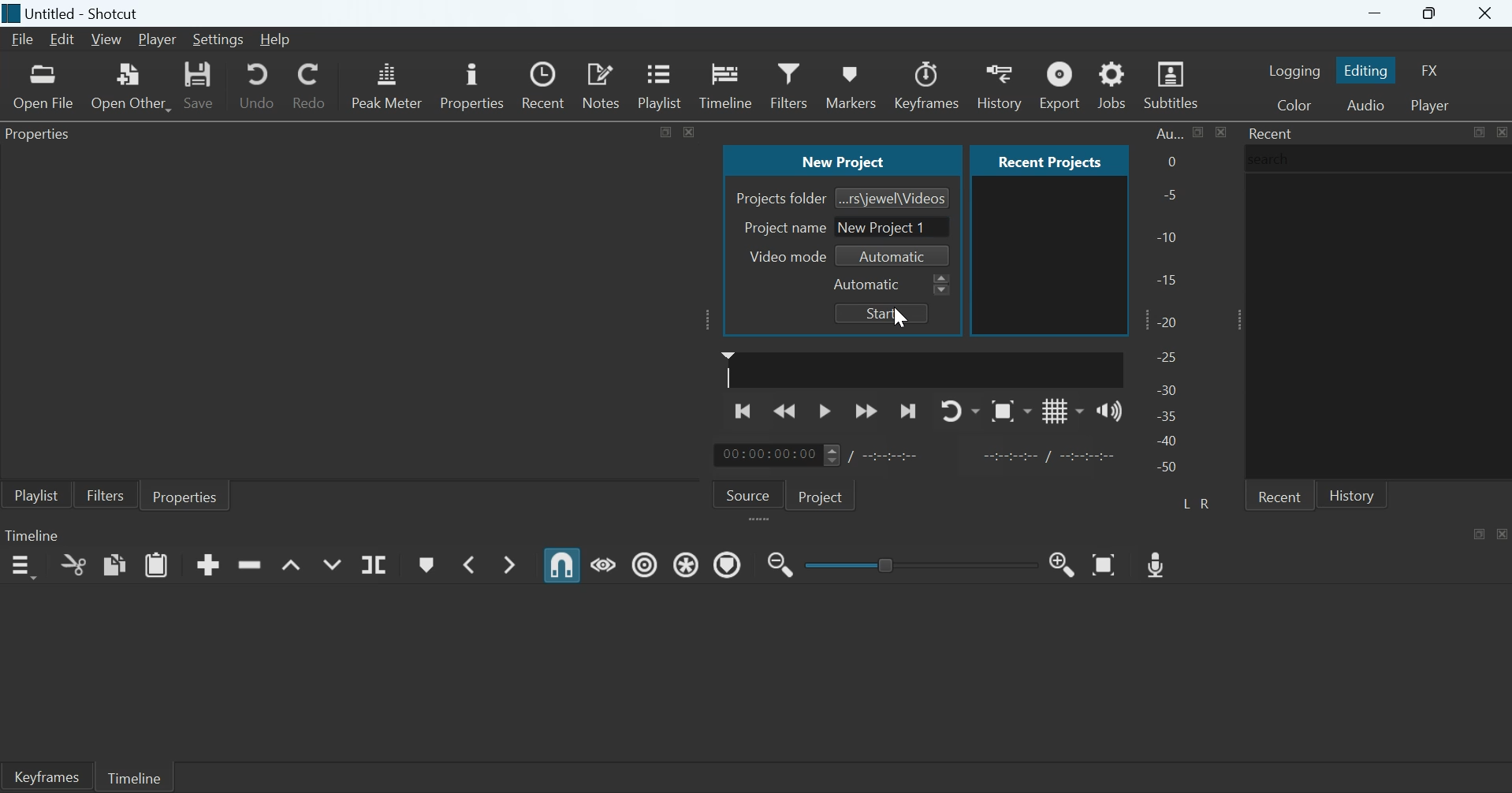 The image size is (1512, 793). I want to click on Play quickly backwards, so click(786, 410).